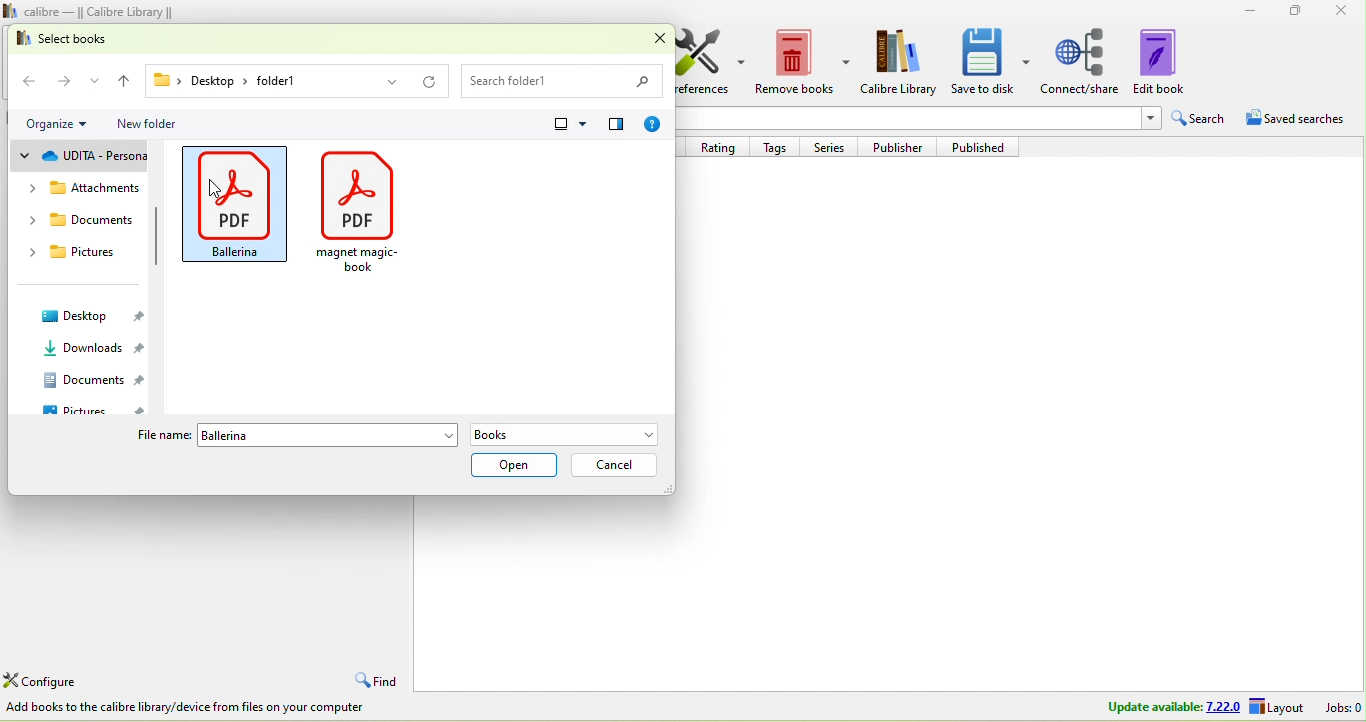  What do you see at coordinates (236, 203) in the screenshot?
I see `ballerina` at bounding box center [236, 203].